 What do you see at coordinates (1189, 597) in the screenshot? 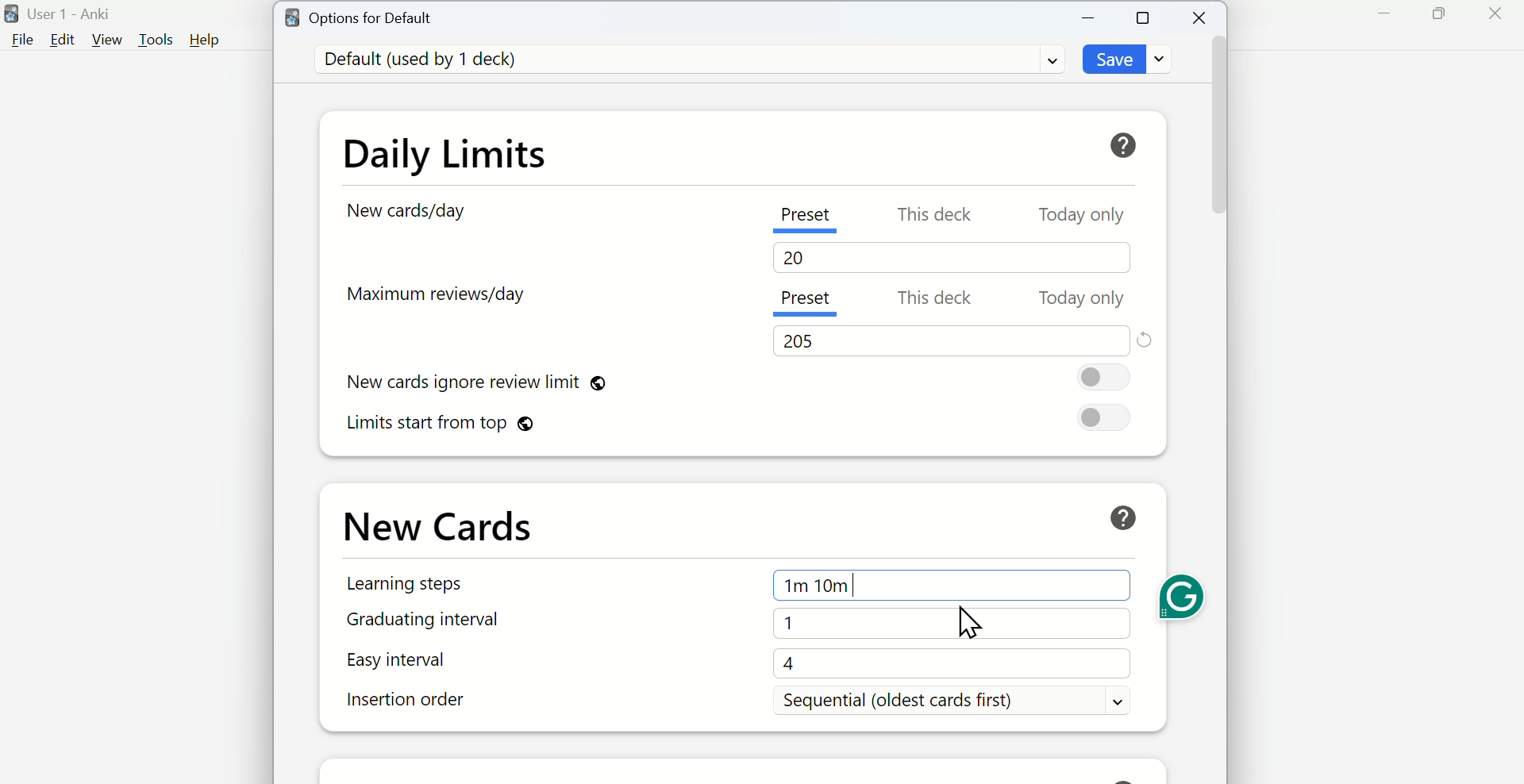
I see `Grammarly` at bounding box center [1189, 597].